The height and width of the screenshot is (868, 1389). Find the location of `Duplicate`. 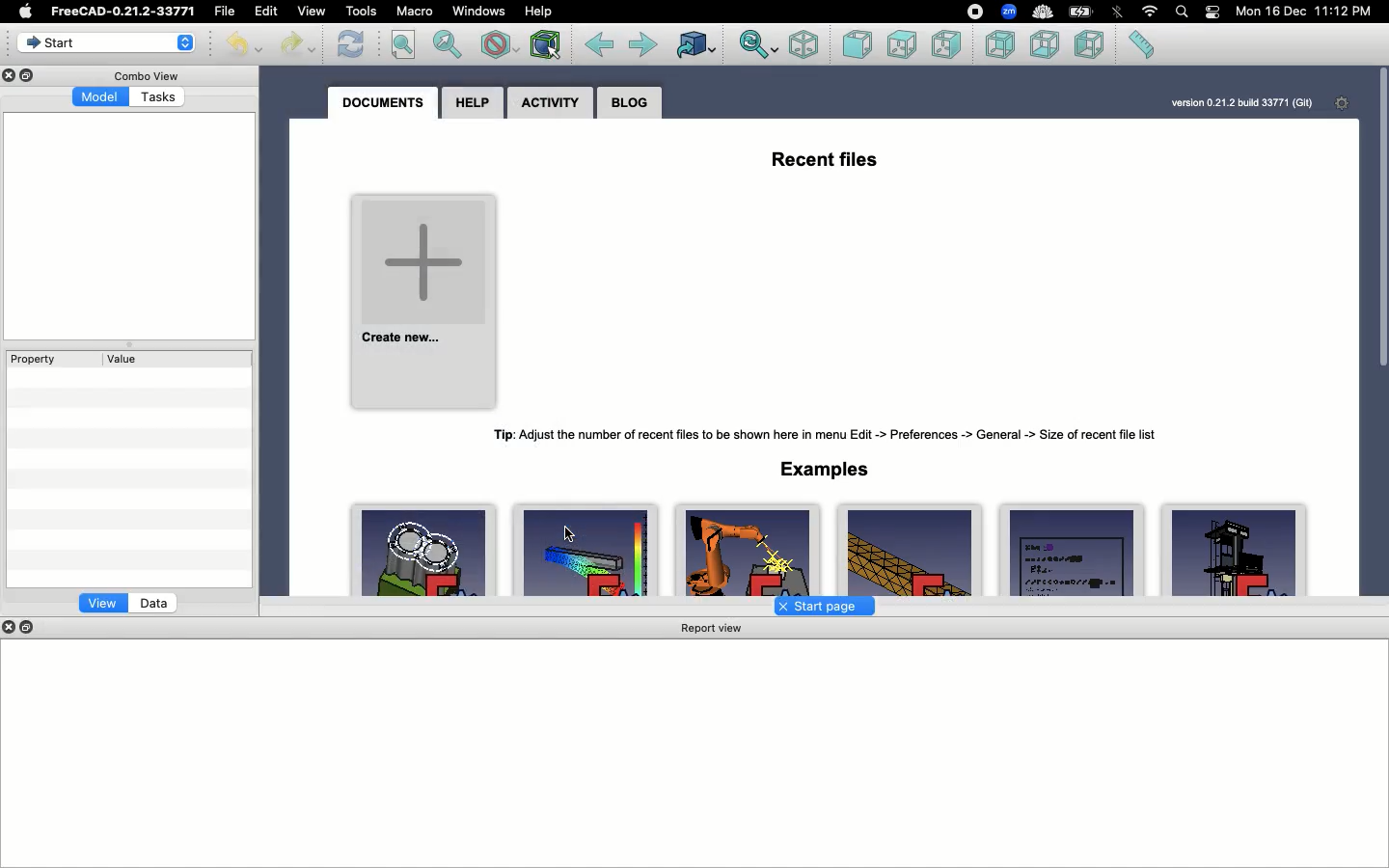

Duplicate is located at coordinates (30, 628).